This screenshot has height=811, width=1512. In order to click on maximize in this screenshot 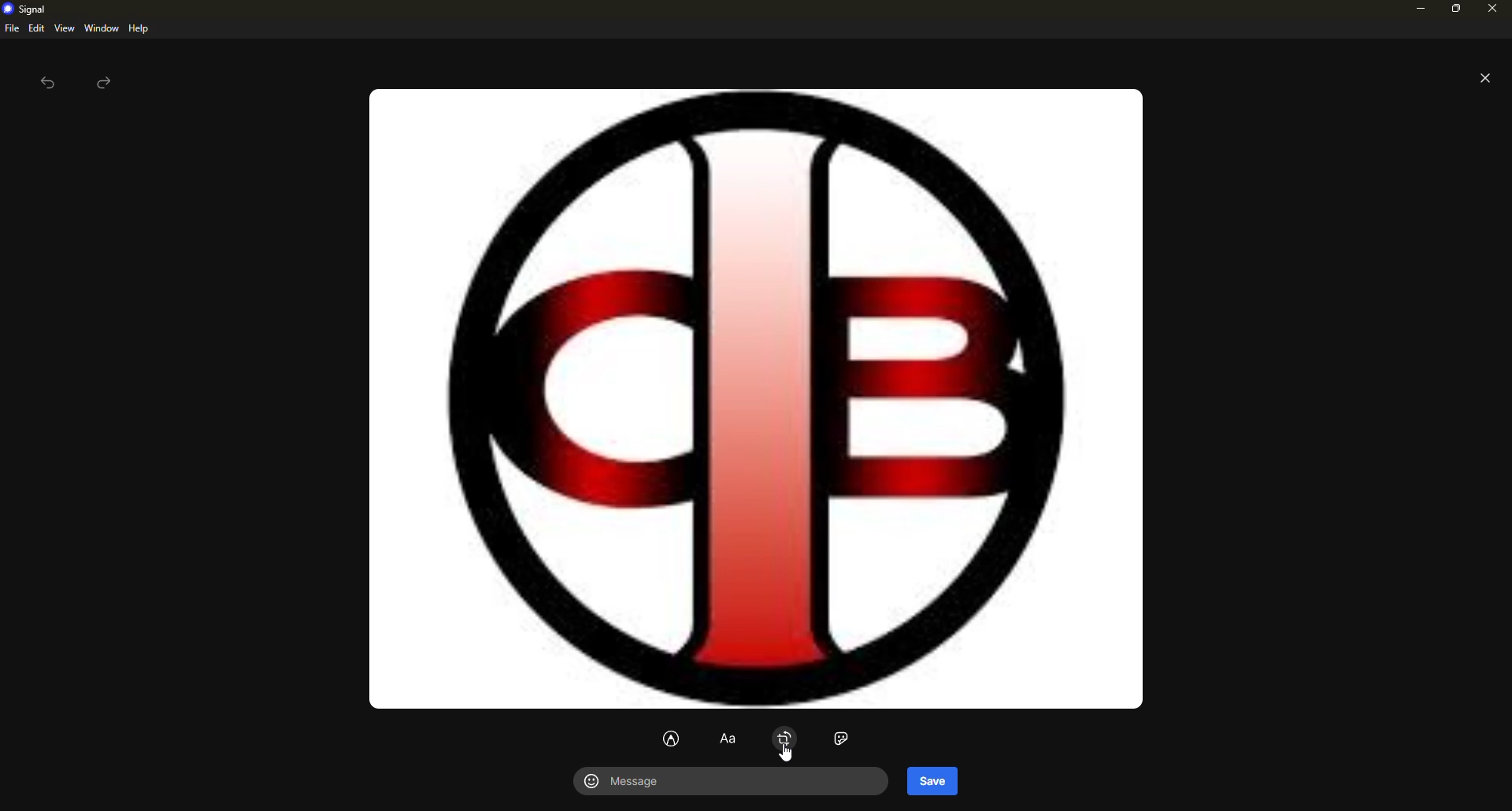, I will do `click(1452, 8)`.